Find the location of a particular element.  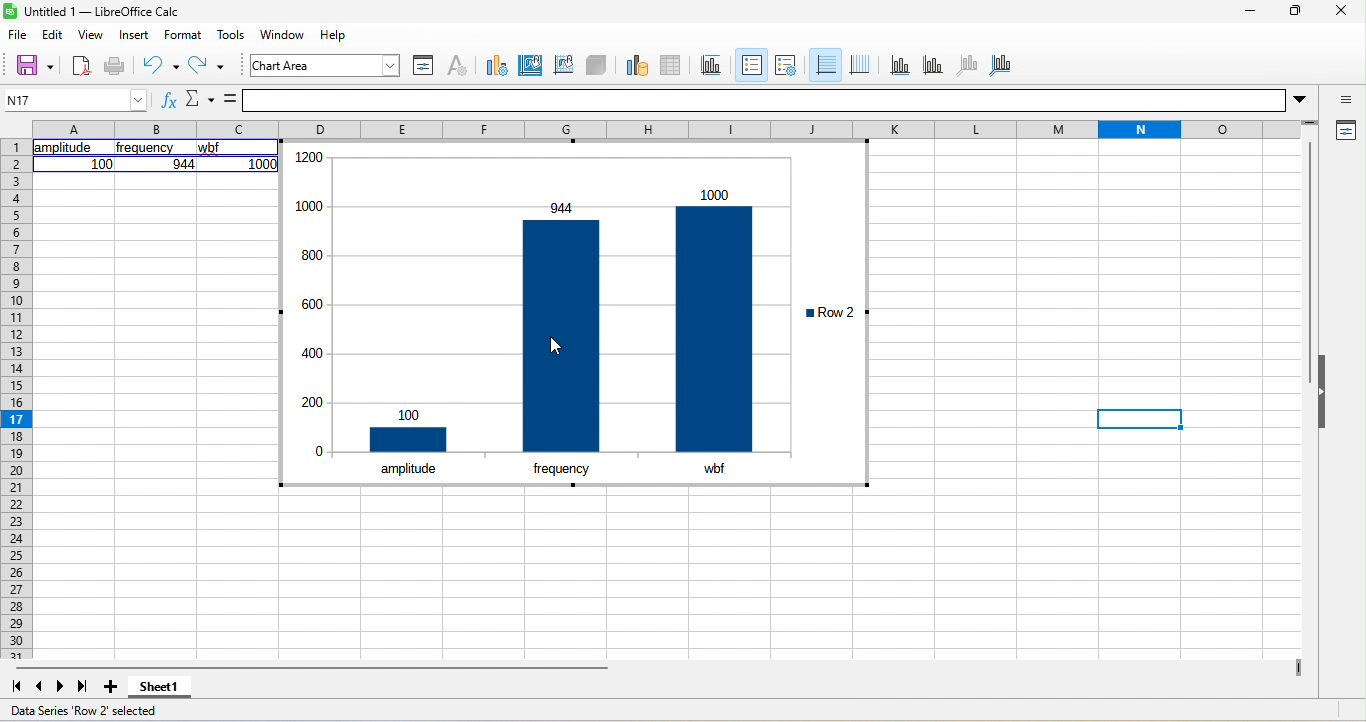

format is located at coordinates (183, 35).